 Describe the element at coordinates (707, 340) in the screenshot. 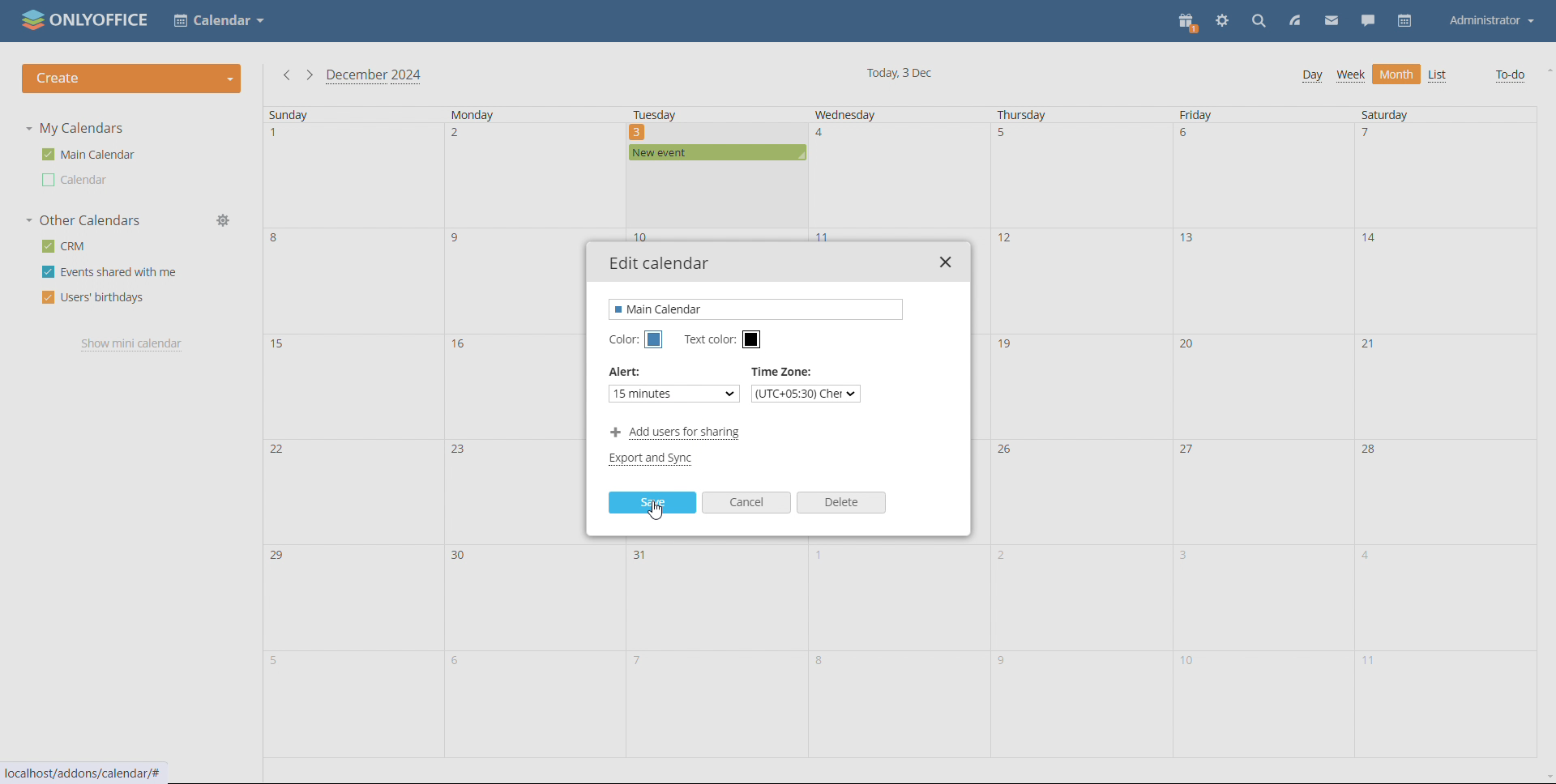

I see `Text color` at that location.